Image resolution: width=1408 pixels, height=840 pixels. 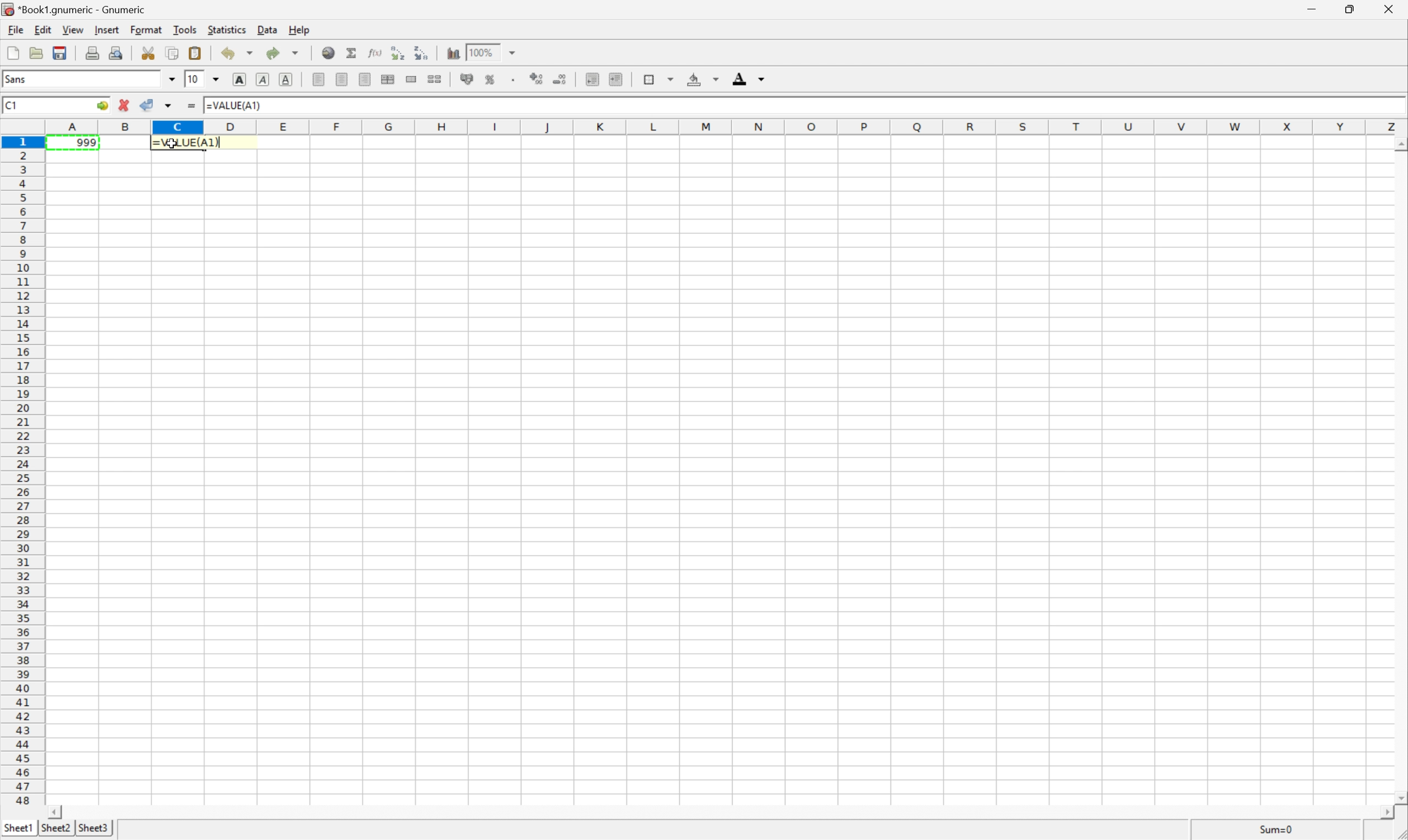 What do you see at coordinates (283, 52) in the screenshot?
I see `redo` at bounding box center [283, 52].